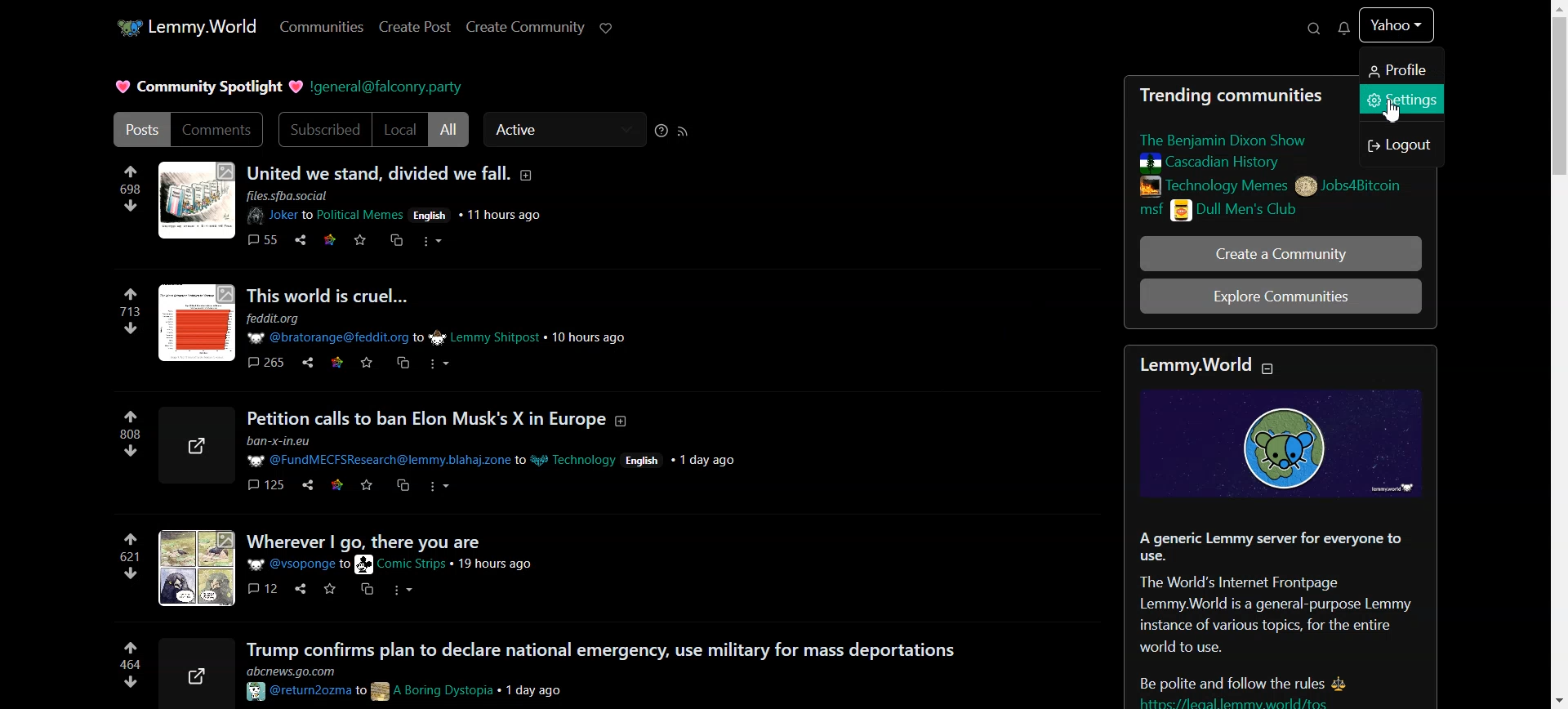 The image size is (1568, 709). Describe the element at coordinates (366, 595) in the screenshot. I see `copy` at that location.